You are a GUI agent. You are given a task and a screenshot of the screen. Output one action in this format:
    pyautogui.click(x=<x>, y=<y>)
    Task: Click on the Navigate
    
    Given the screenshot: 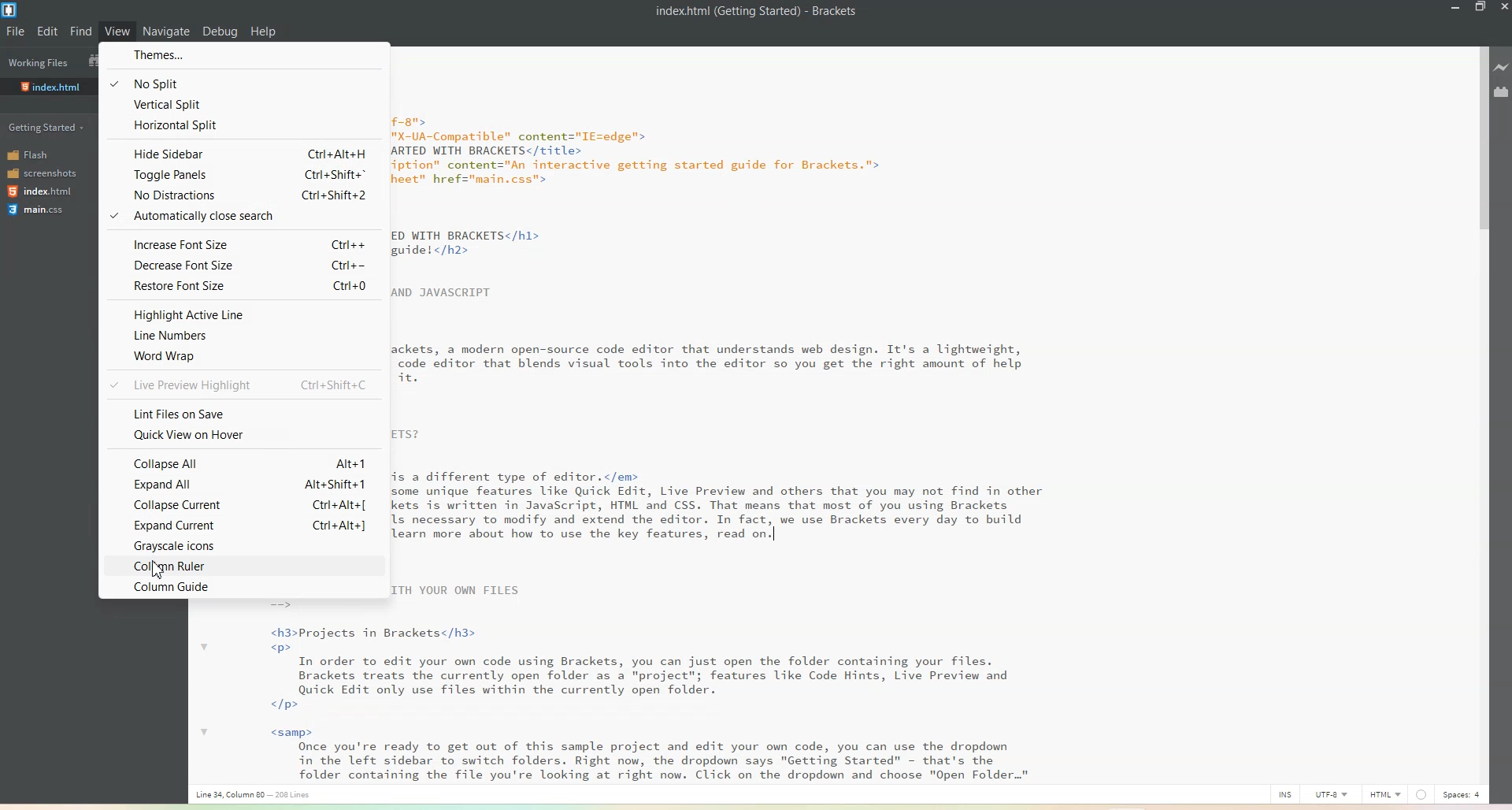 What is the action you would take?
    pyautogui.click(x=166, y=32)
    